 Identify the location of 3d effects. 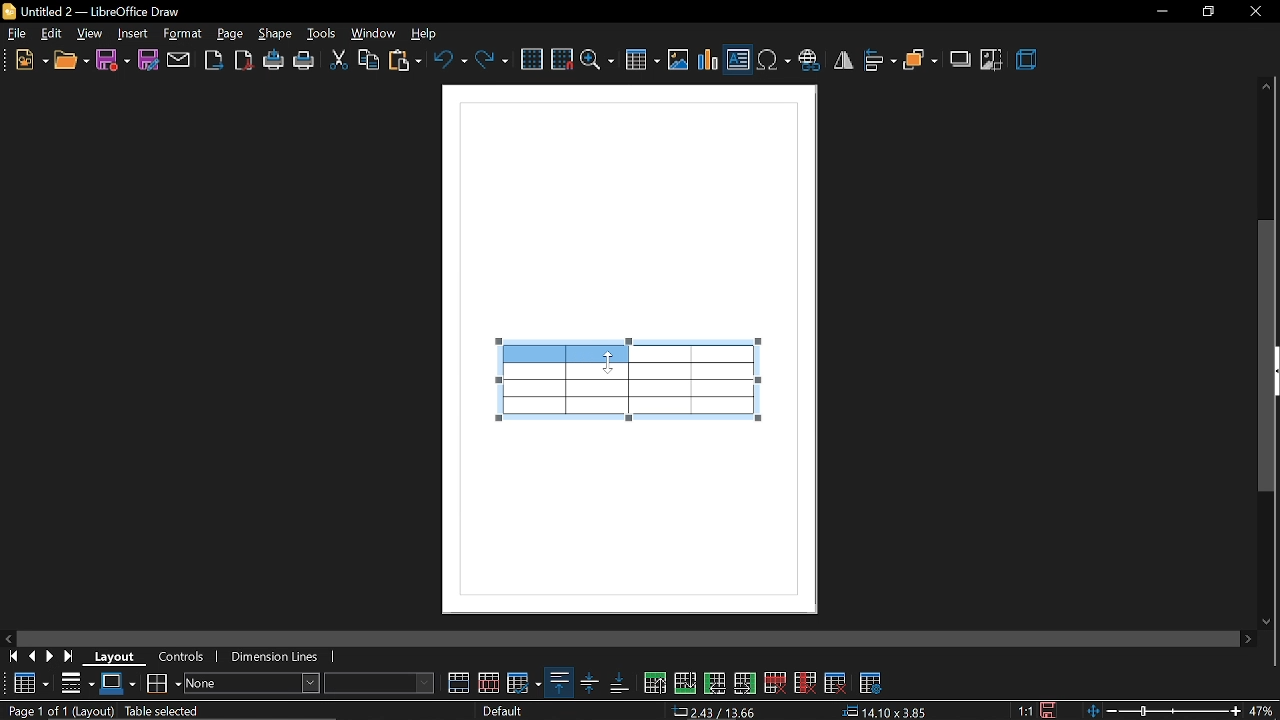
(1027, 60).